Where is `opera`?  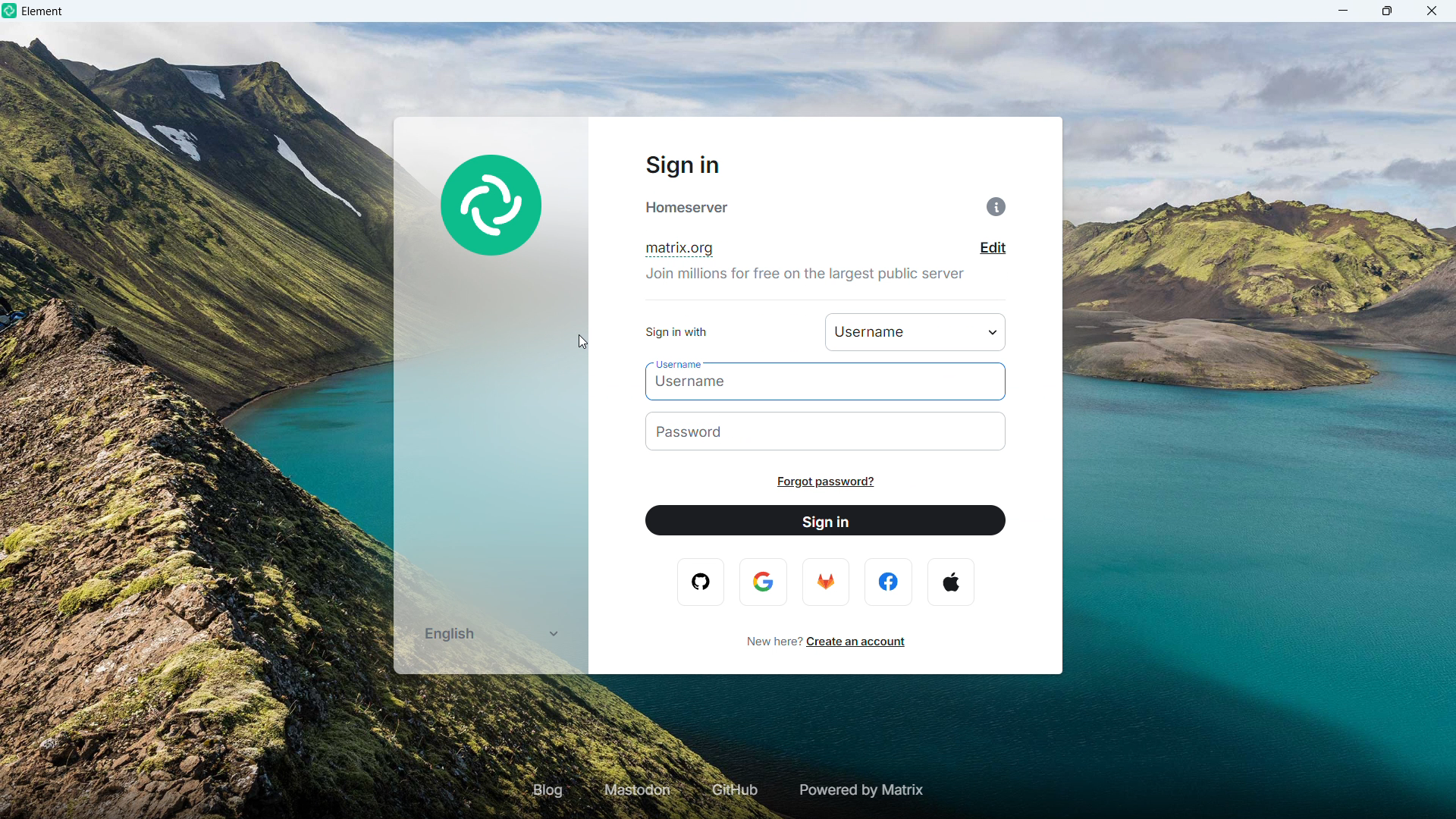 opera is located at coordinates (704, 582).